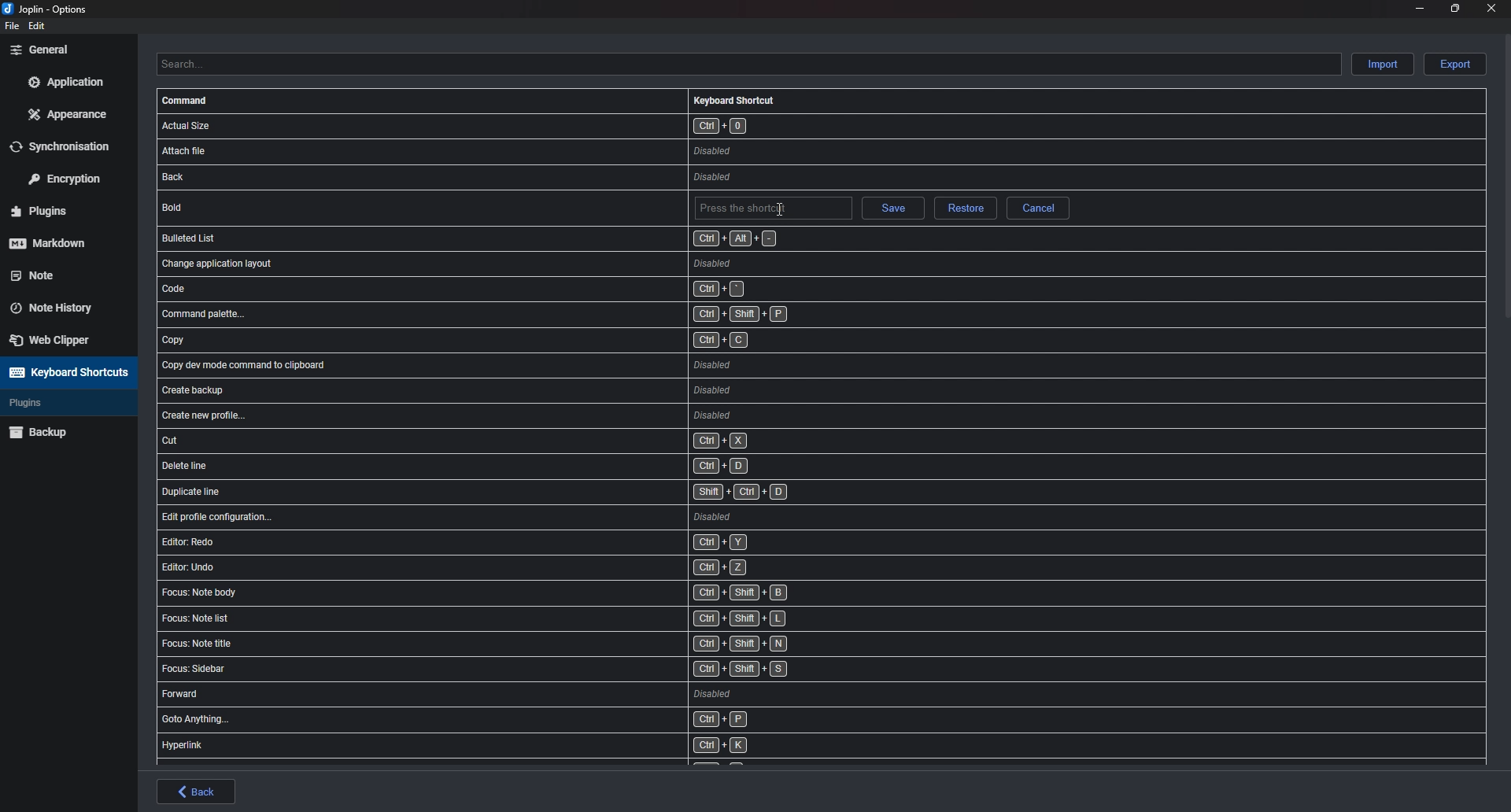 The image size is (1511, 812). I want to click on file, so click(10, 26).